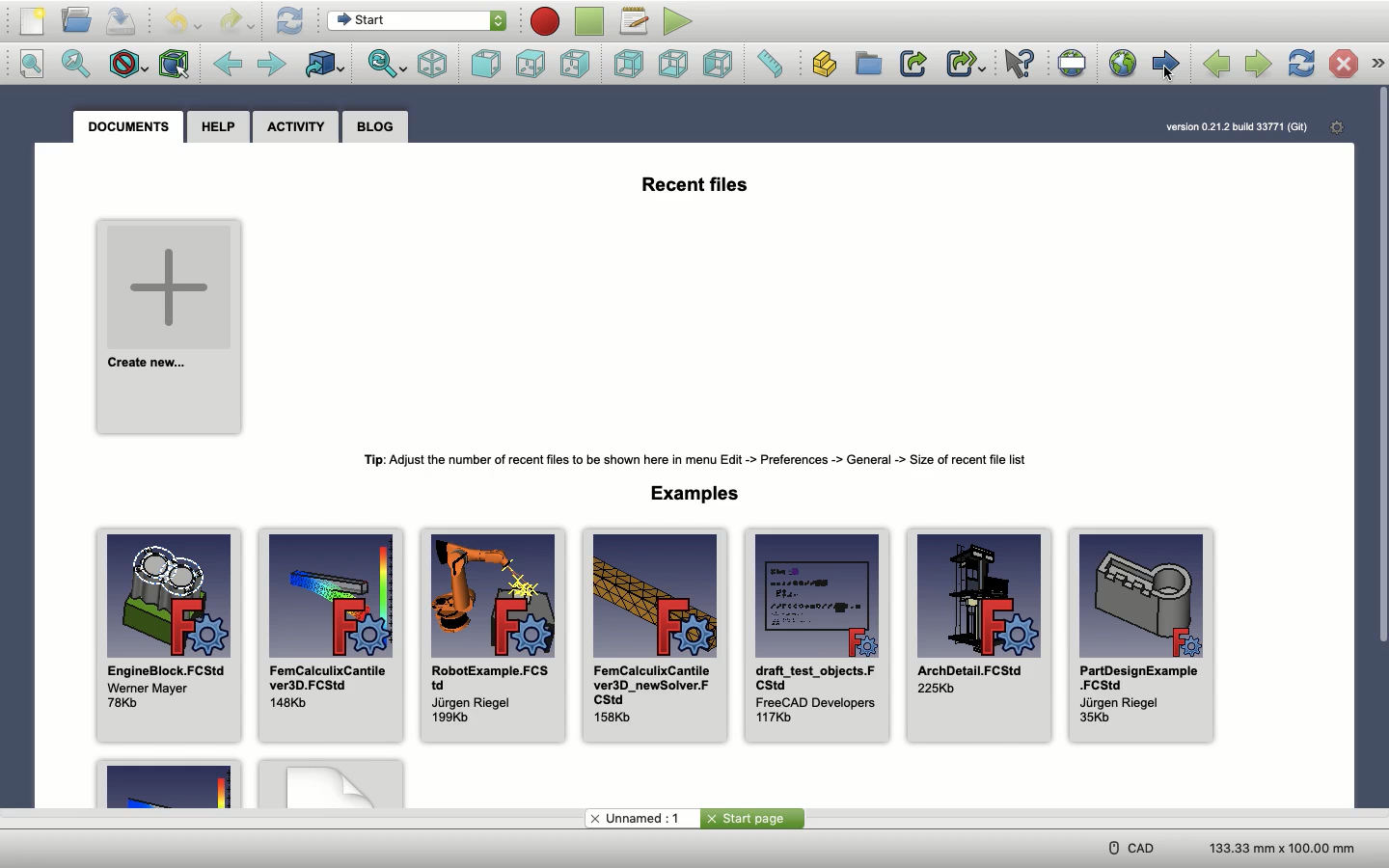  Describe the element at coordinates (77, 21) in the screenshot. I see `Open` at that location.